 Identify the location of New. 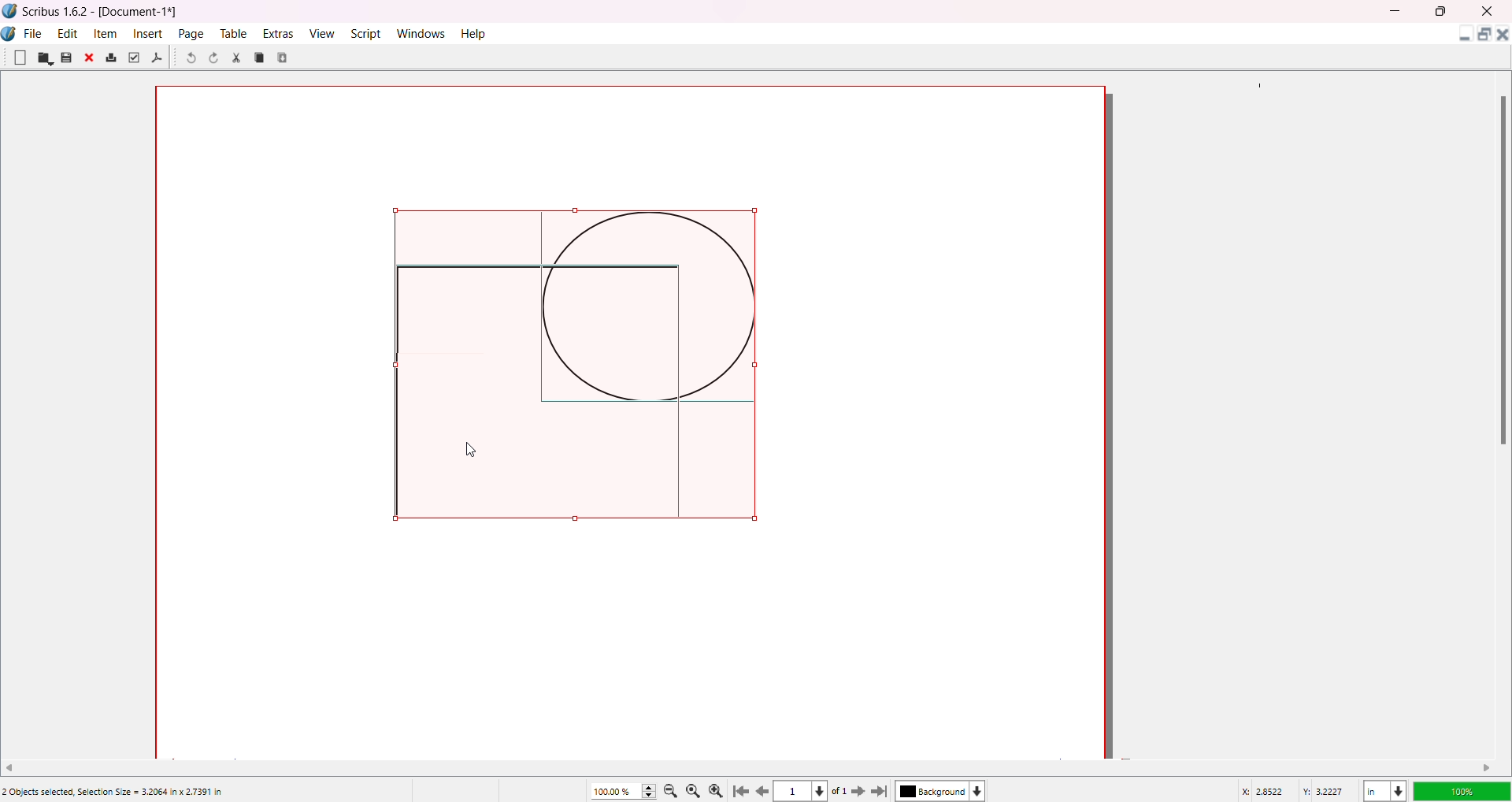
(20, 57).